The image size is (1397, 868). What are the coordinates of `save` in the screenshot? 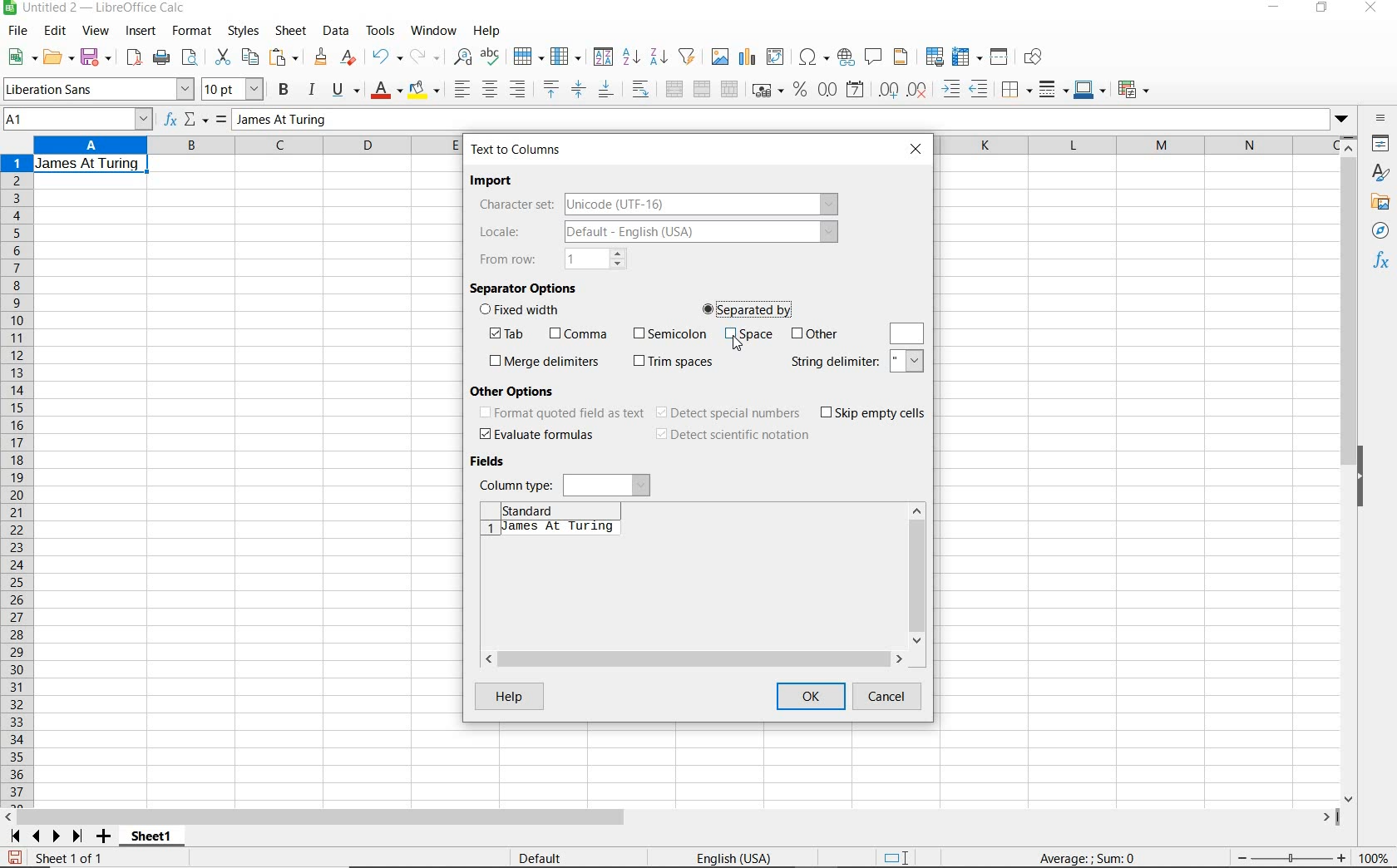 It's located at (96, 57).